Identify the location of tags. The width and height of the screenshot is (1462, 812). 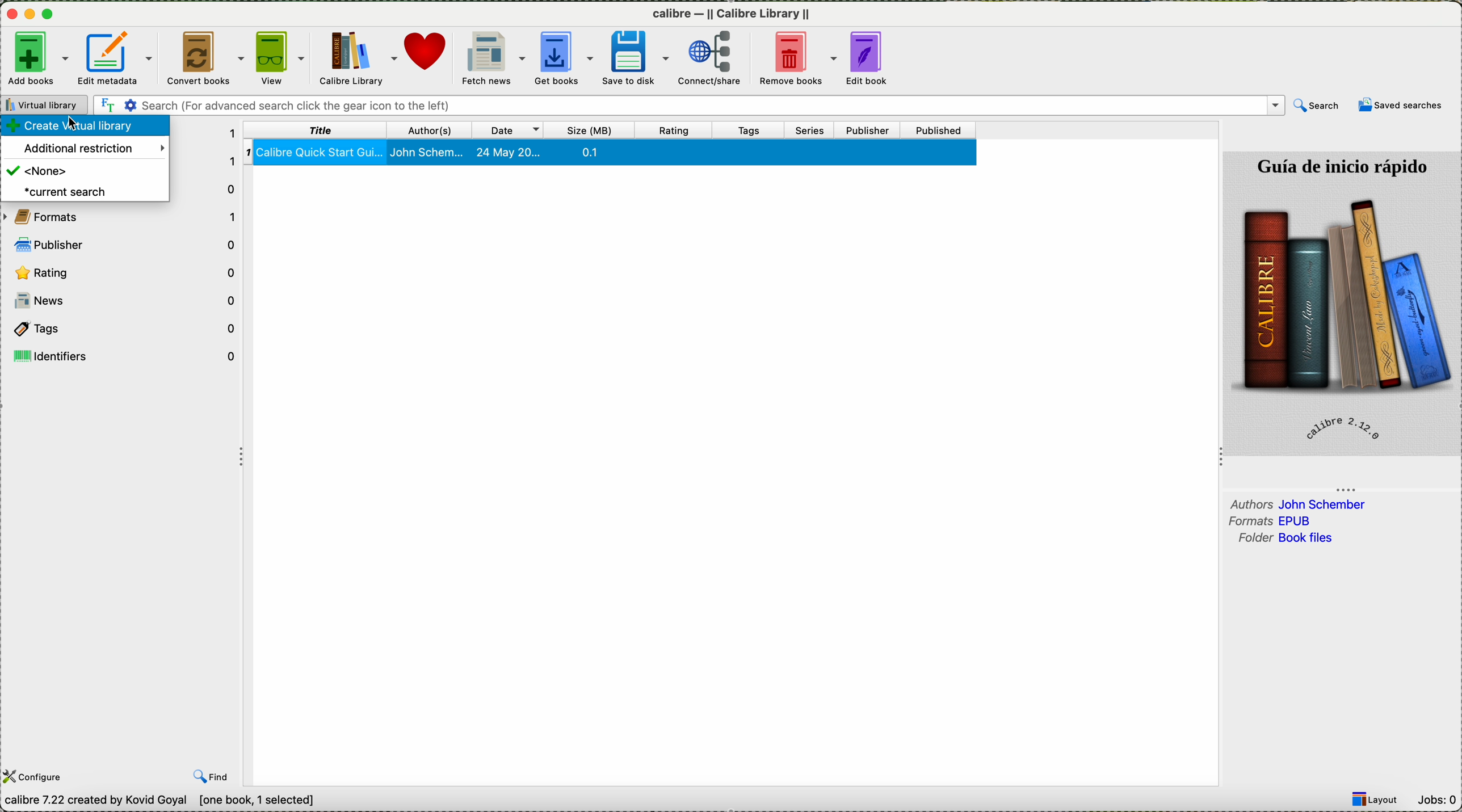
(125, 329).